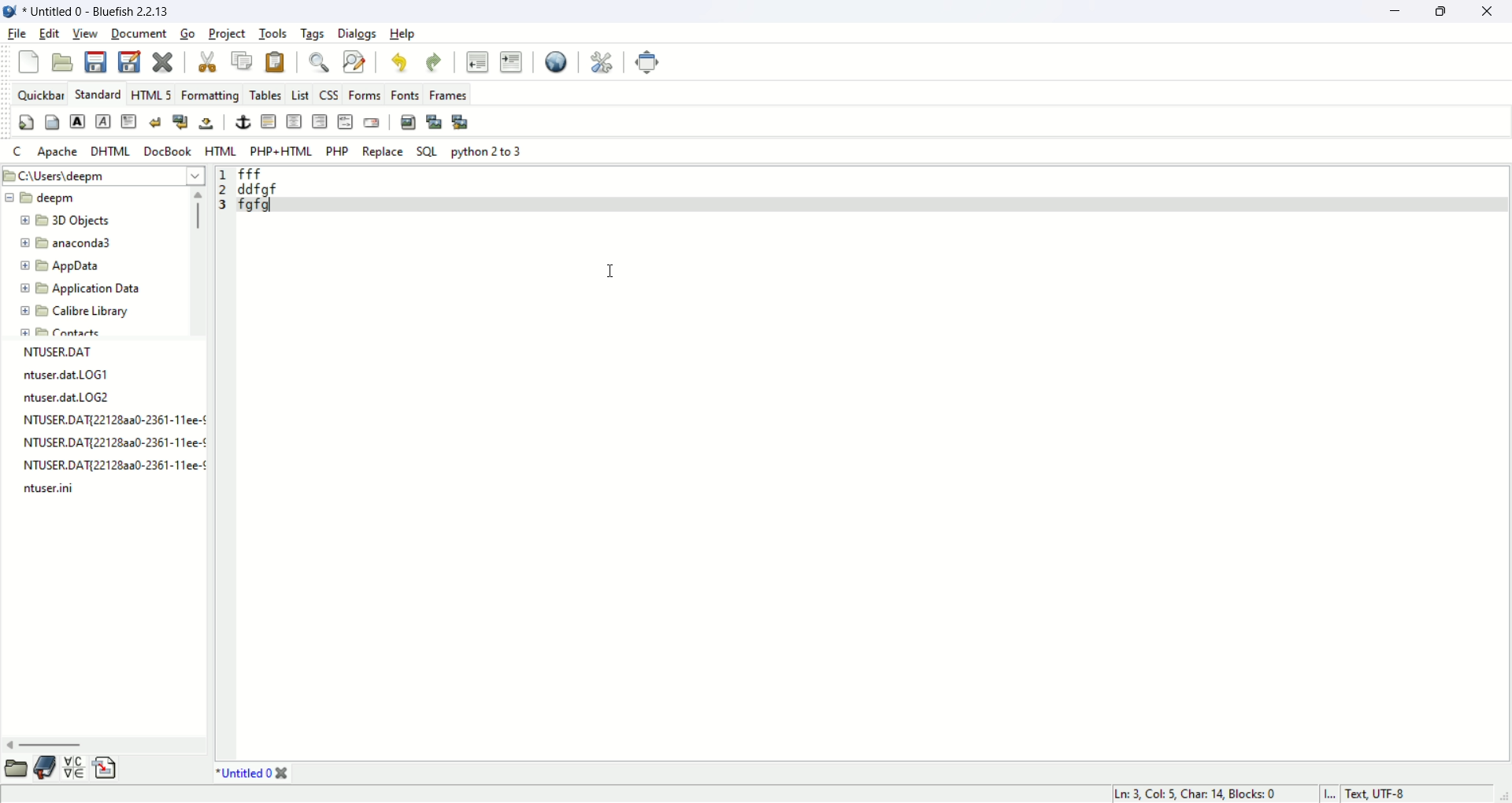 This screenshot has height=803, width=1512. What do you see at coordinates (166, 152) in the screenshot?
I see `Docbook` at bounding box center [166, 152].